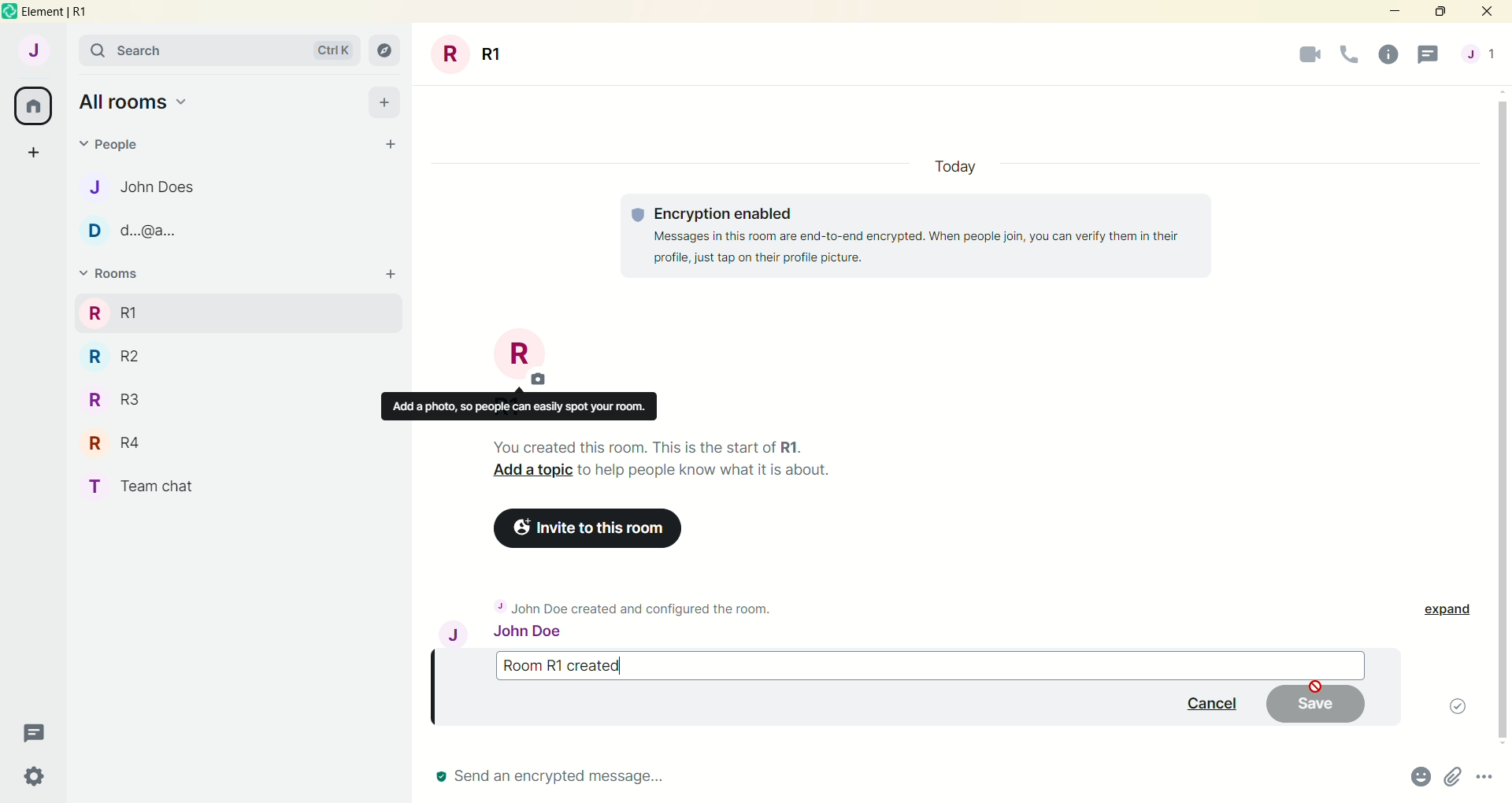 The image size is (1512, 803). I want to click on John Doe, so click(517, 635).